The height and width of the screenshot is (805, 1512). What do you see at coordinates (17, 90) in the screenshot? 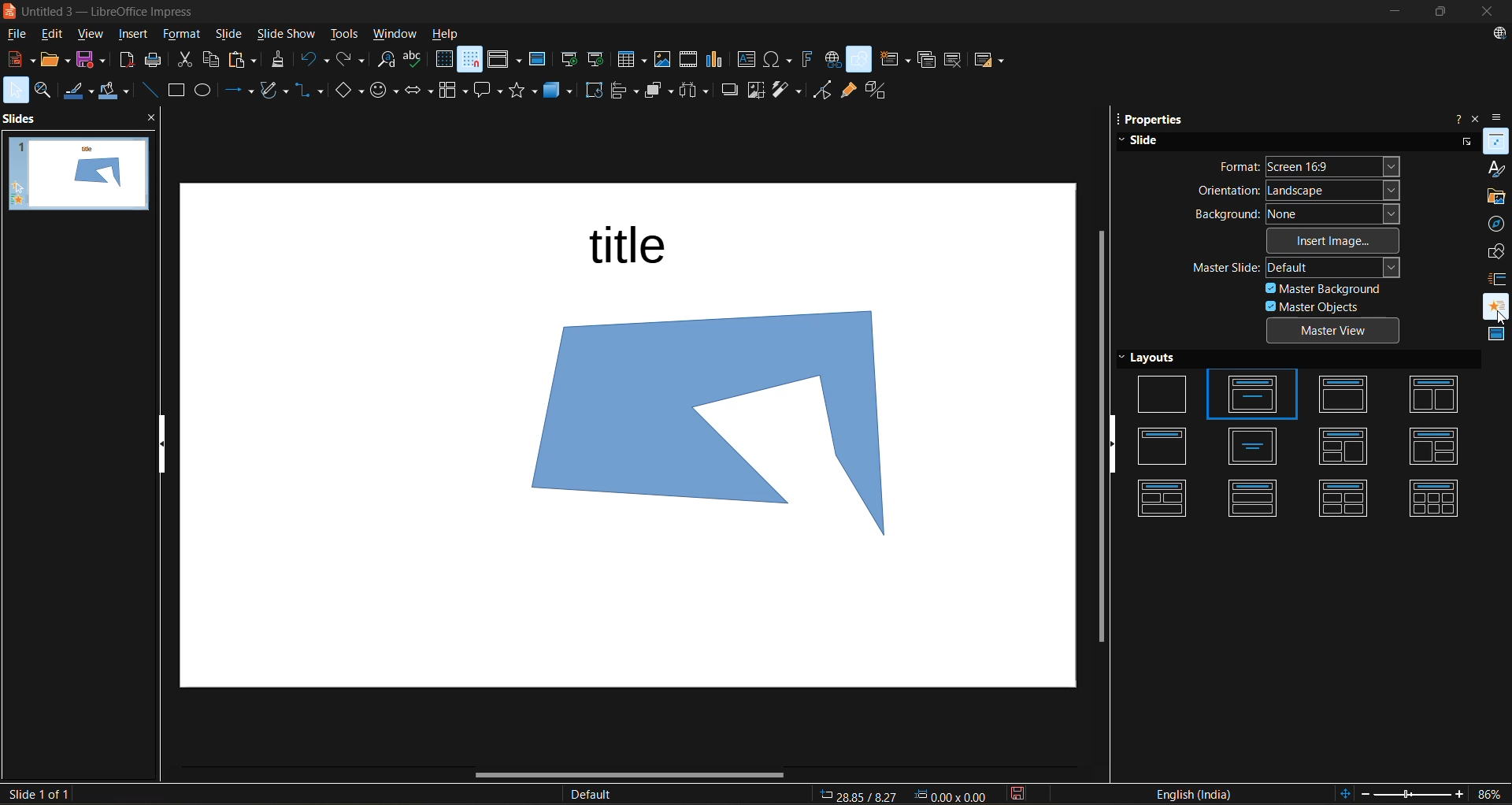
I see `select` at bounding box center [17, 90].